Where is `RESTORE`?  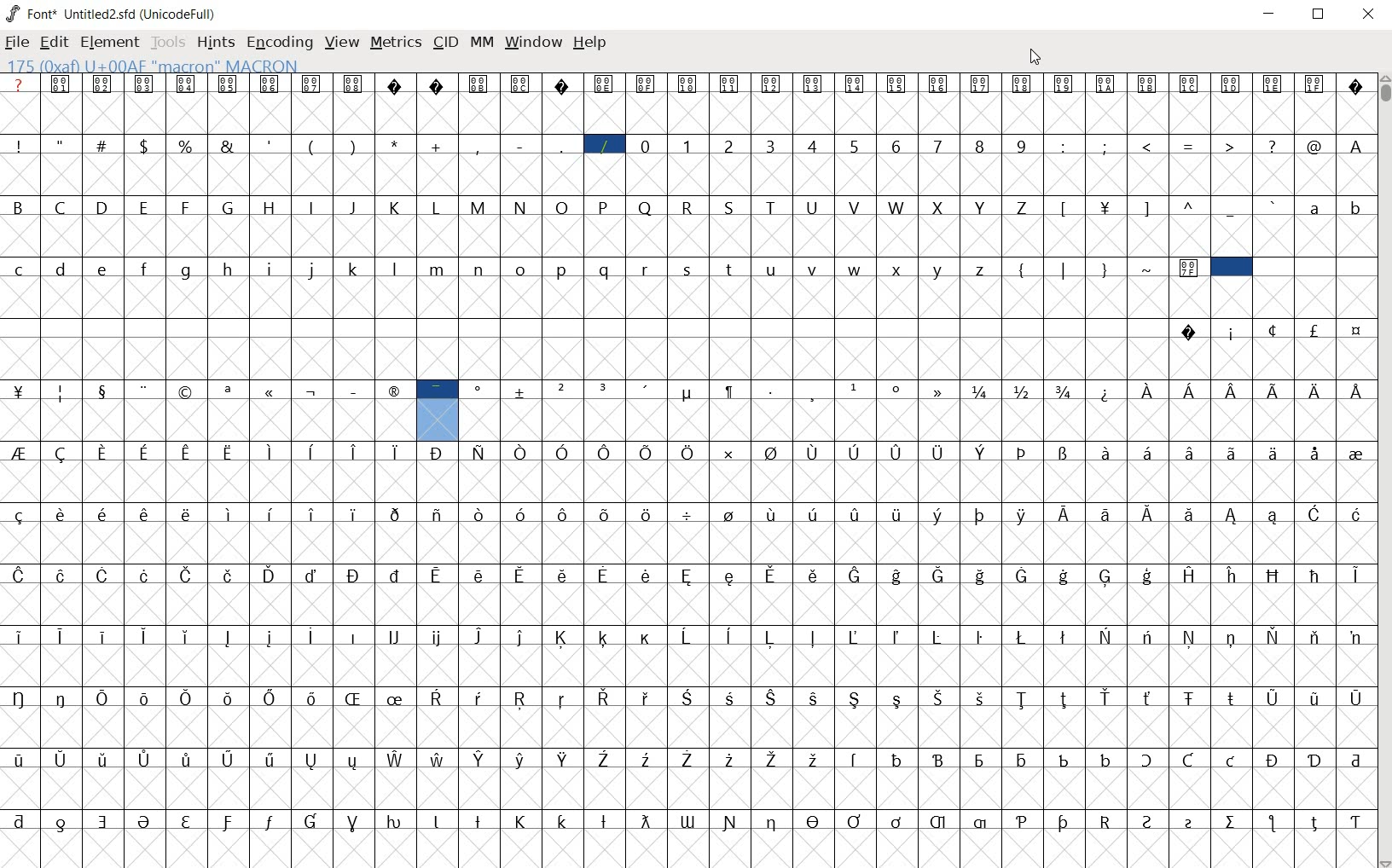 RESTORE is located at coordinates (1318, 16).